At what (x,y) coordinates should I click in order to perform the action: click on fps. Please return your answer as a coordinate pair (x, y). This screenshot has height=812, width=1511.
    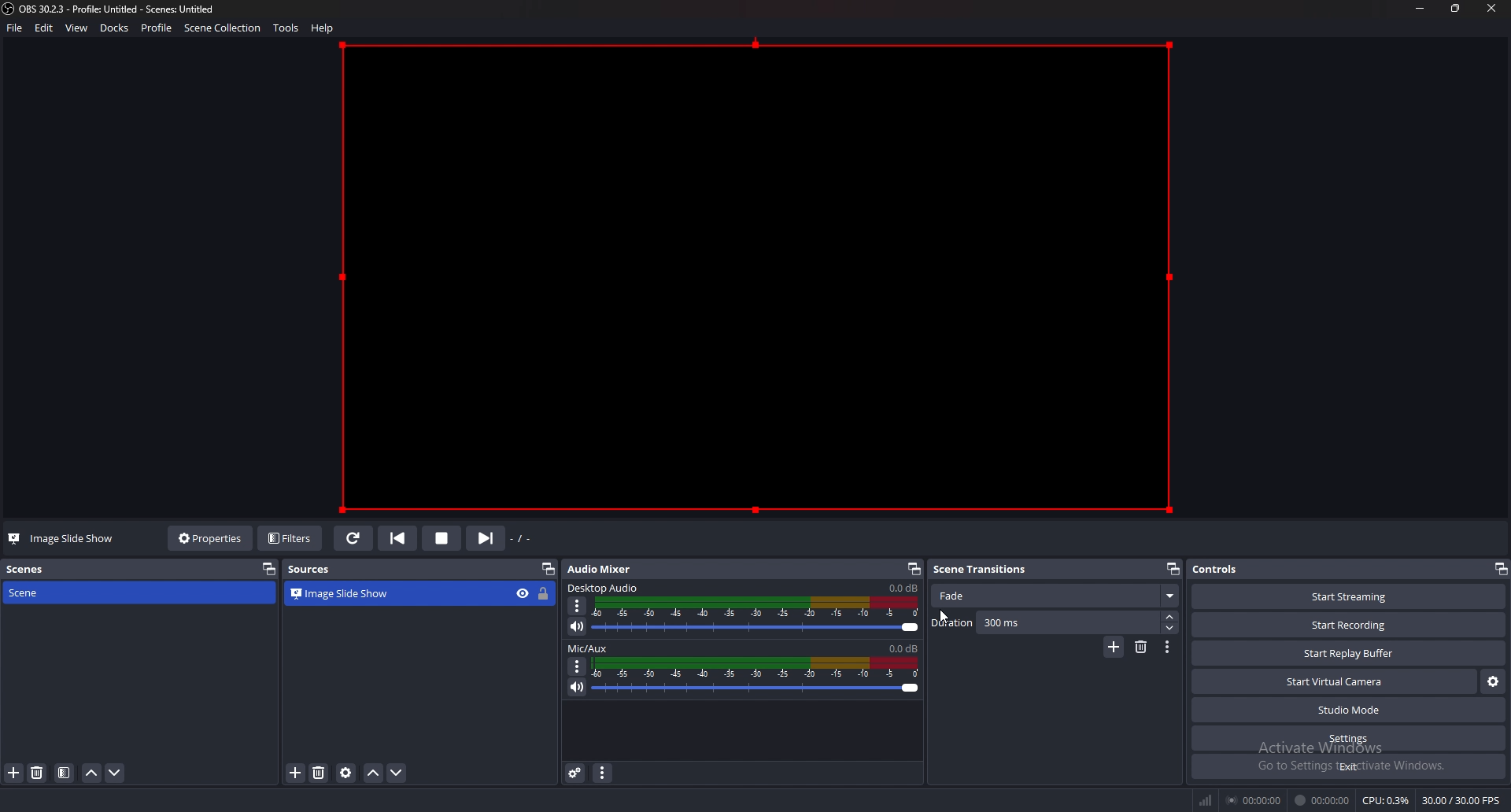
    Looking at the image, I should click on (1461, 800).